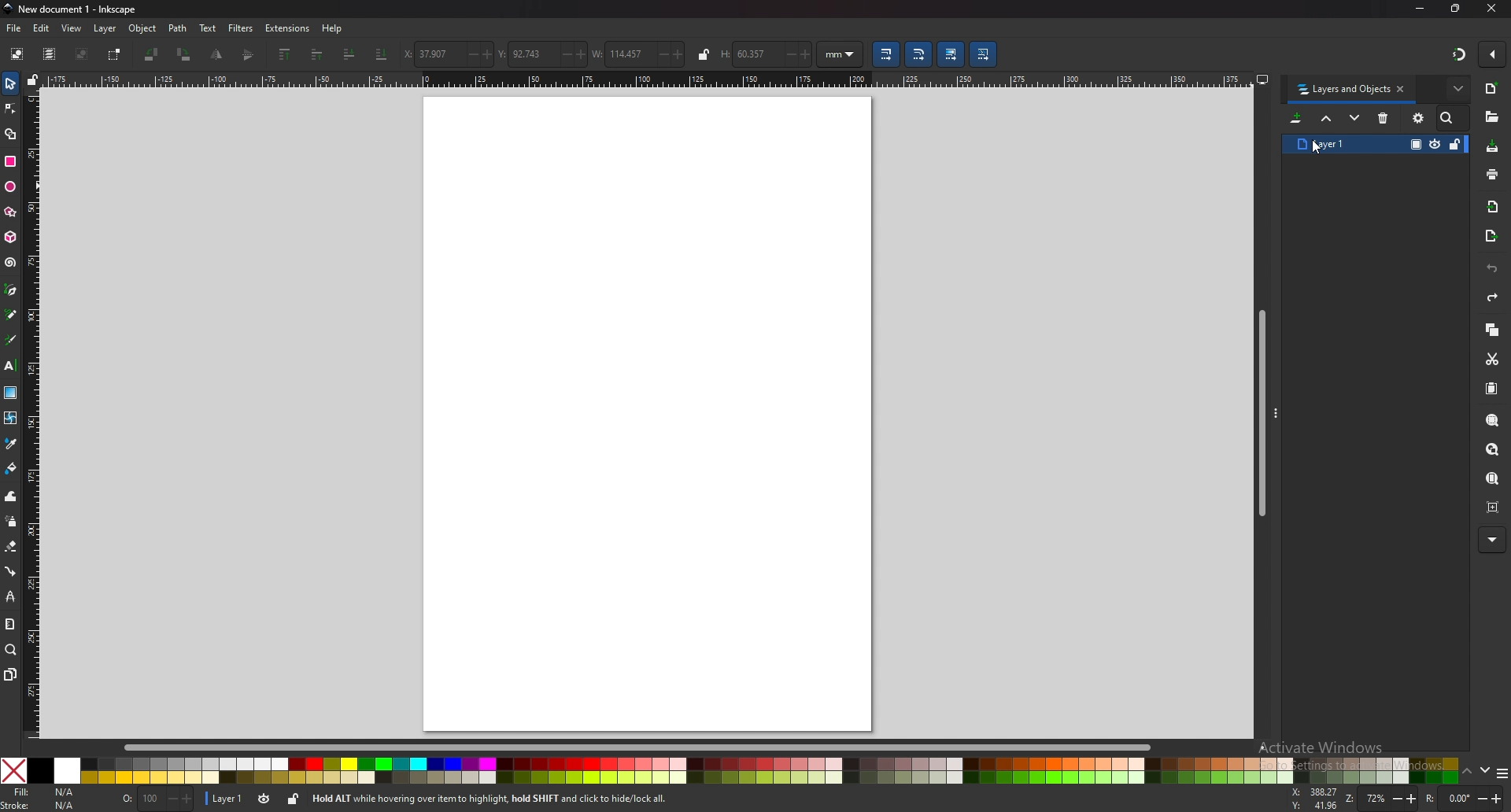 This screenshot has width=1511, height=812. What do you see at coordinates (293, 799) in the screenshot?
I see `lock` at bounding box center [293, 799].